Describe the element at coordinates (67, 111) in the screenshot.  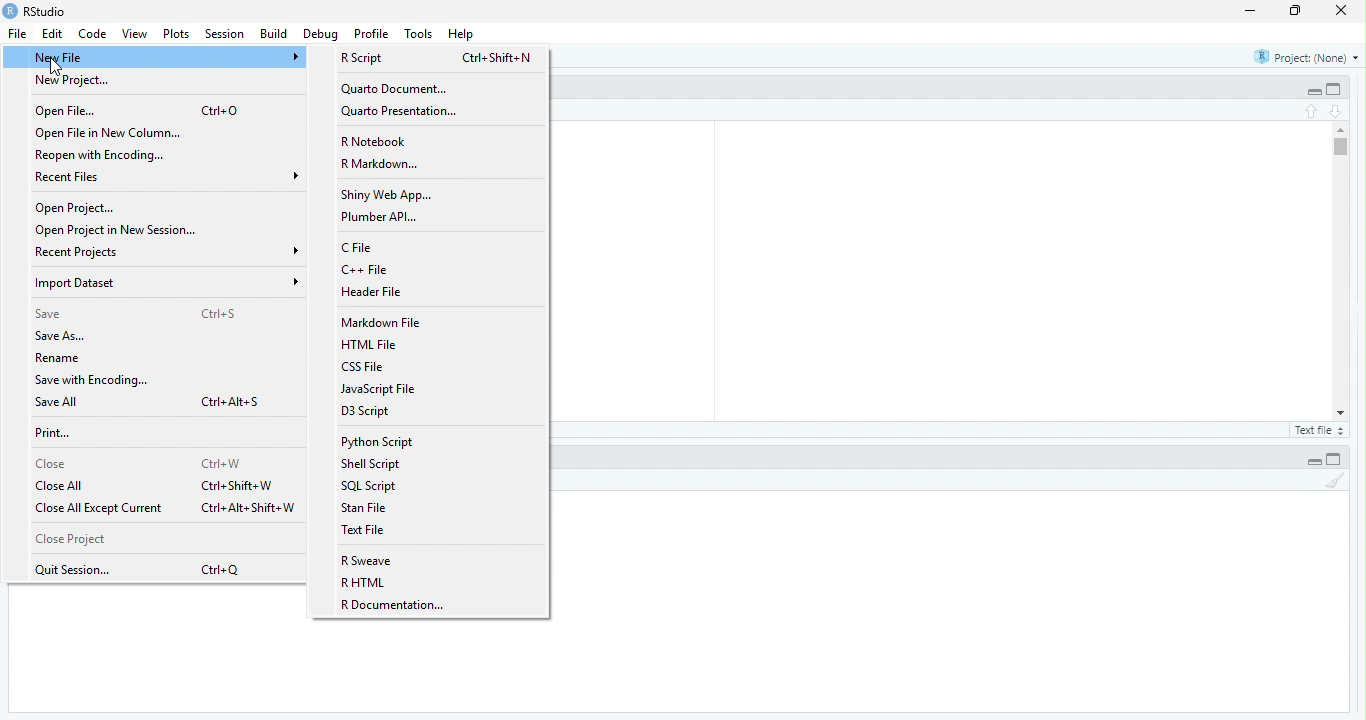
I see `Open File...` at that location.